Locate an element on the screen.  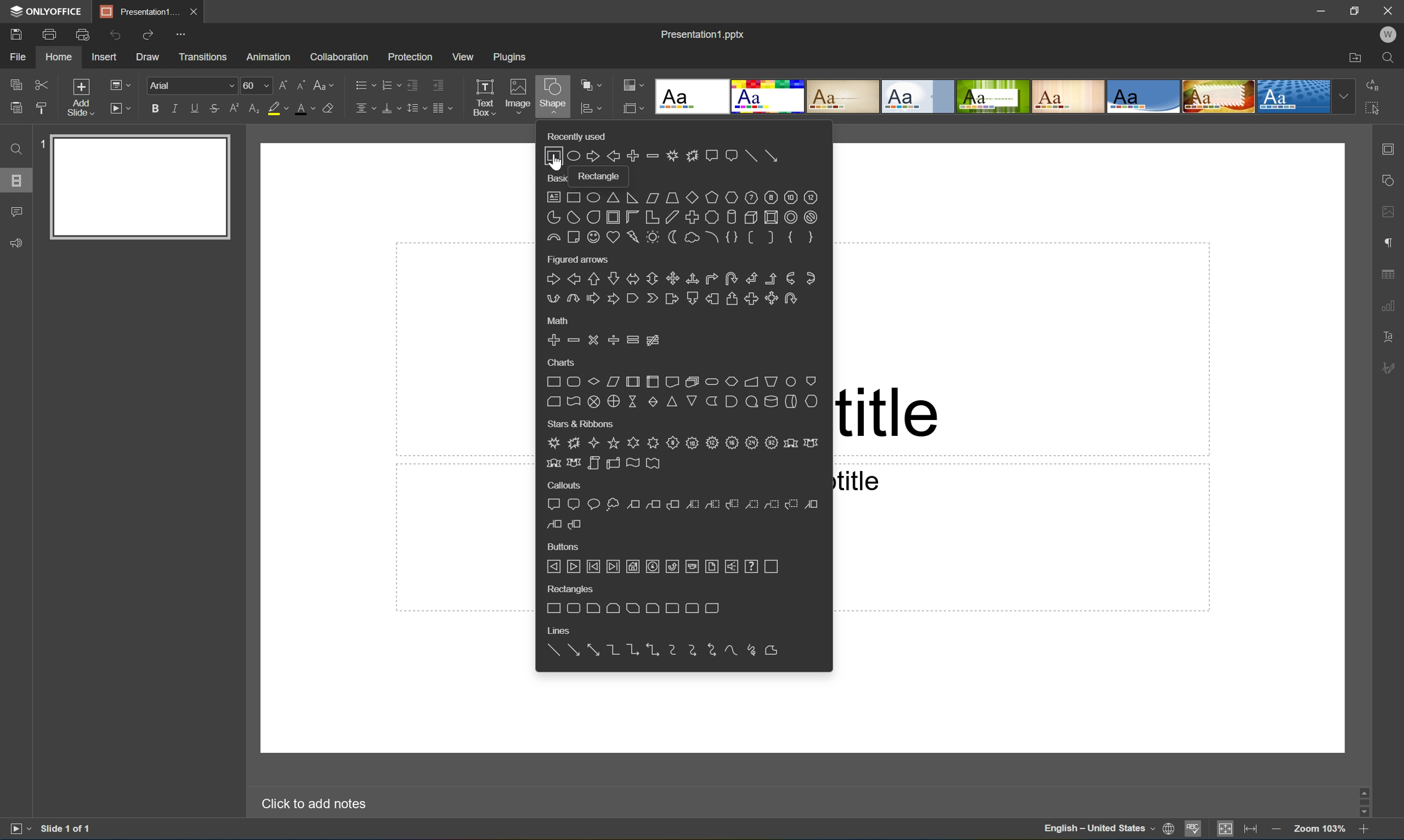
Start slideshow is located at coordinates (16, 831).